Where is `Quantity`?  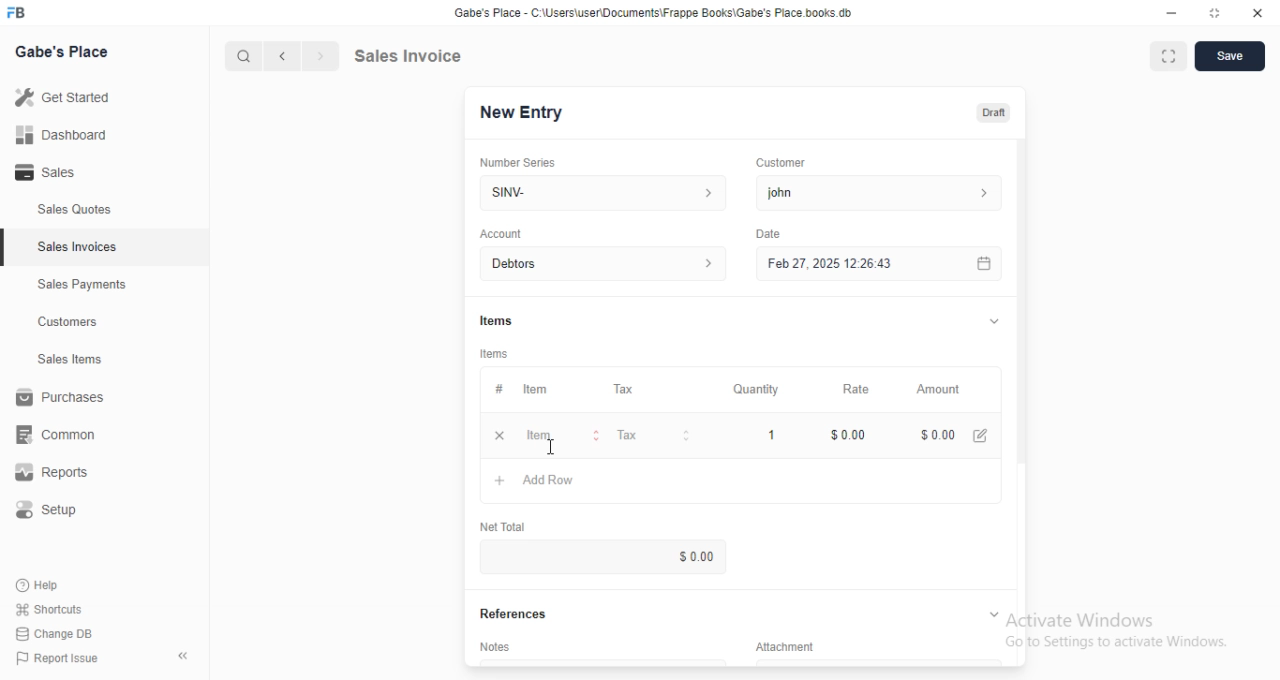
Quantity is located at coordinates (756, 388).